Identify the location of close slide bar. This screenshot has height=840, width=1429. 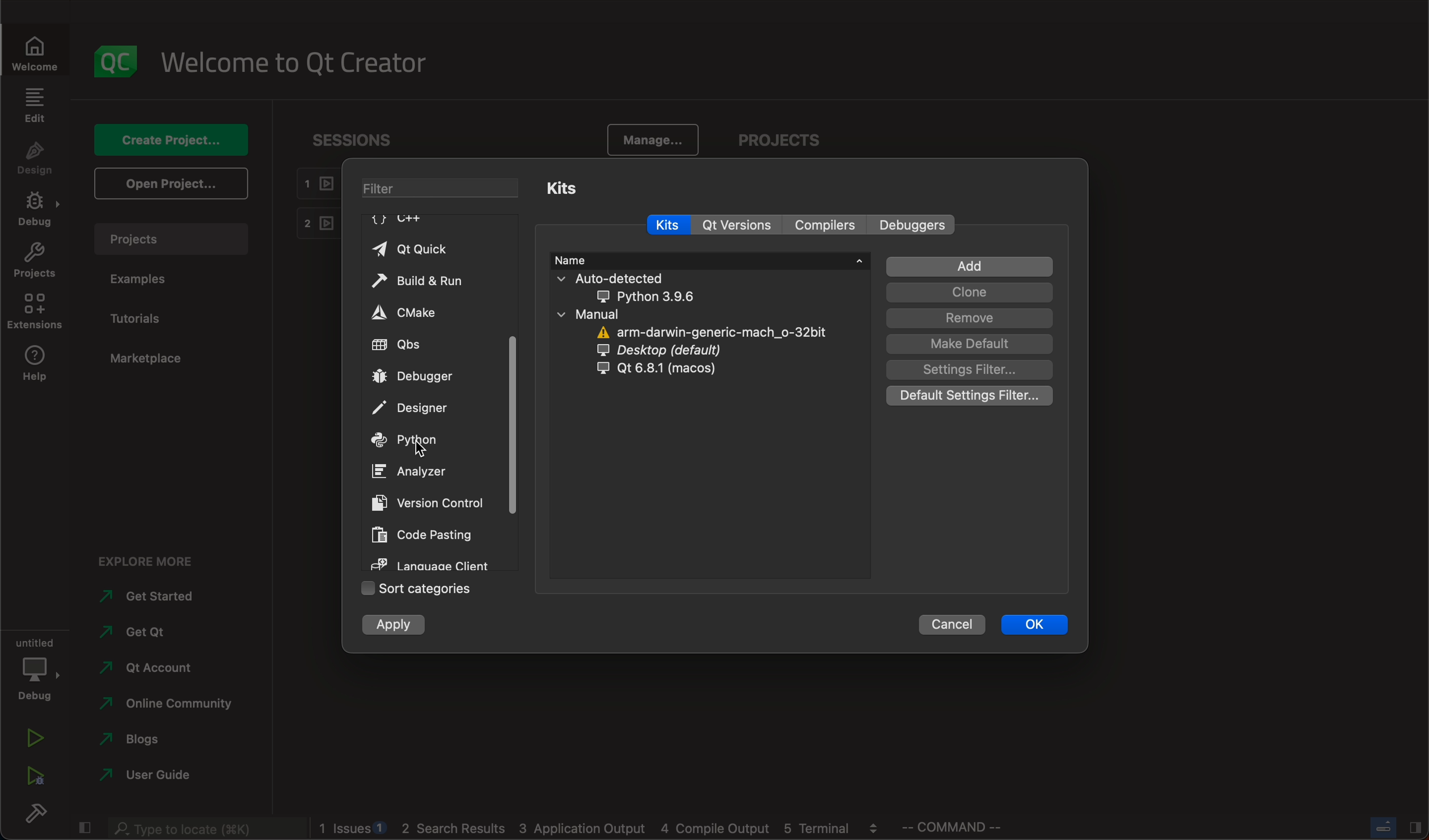
(84, 827).